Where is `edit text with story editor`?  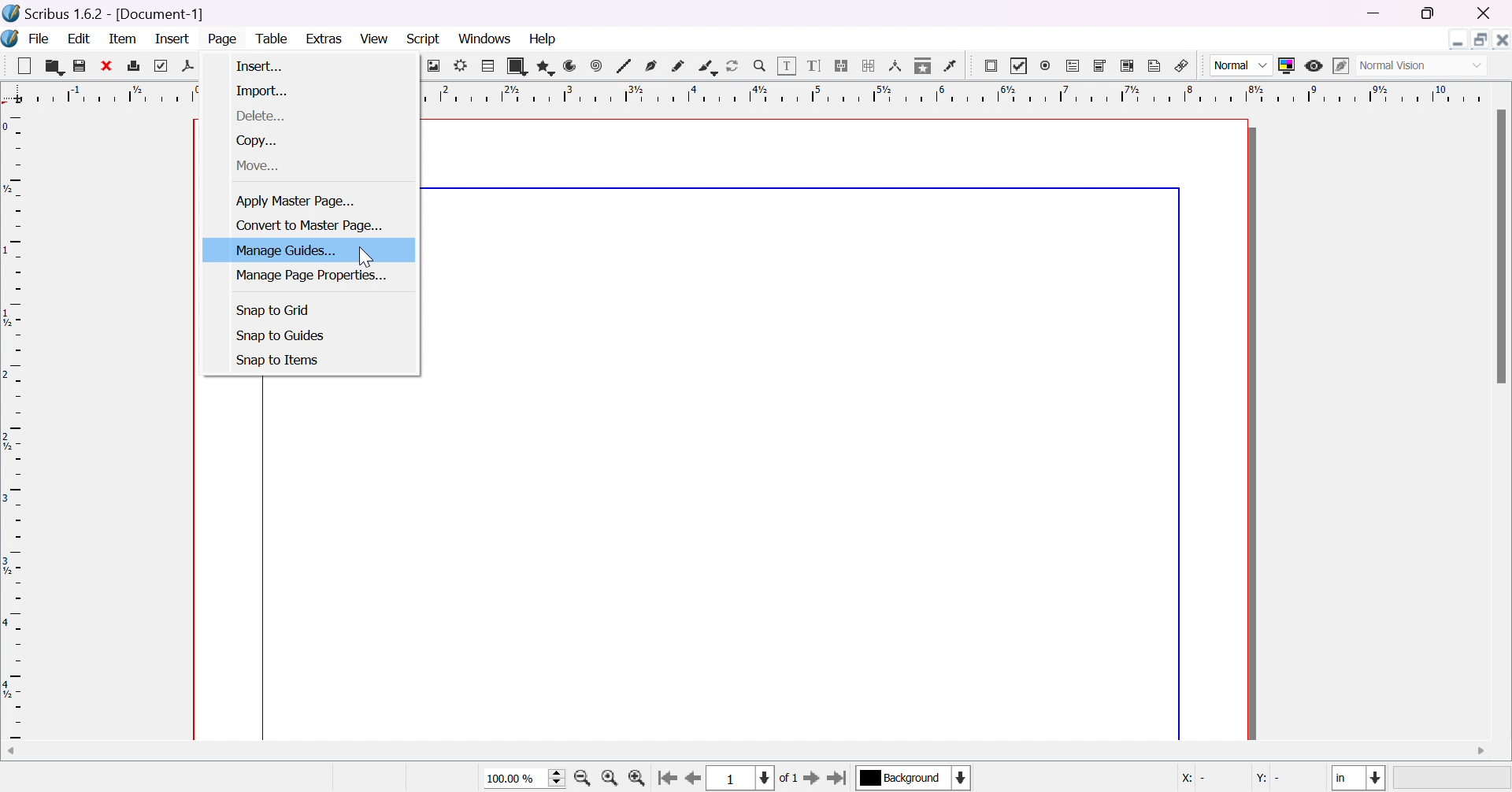
edit text with story editor is located at coordinates (817, 65).